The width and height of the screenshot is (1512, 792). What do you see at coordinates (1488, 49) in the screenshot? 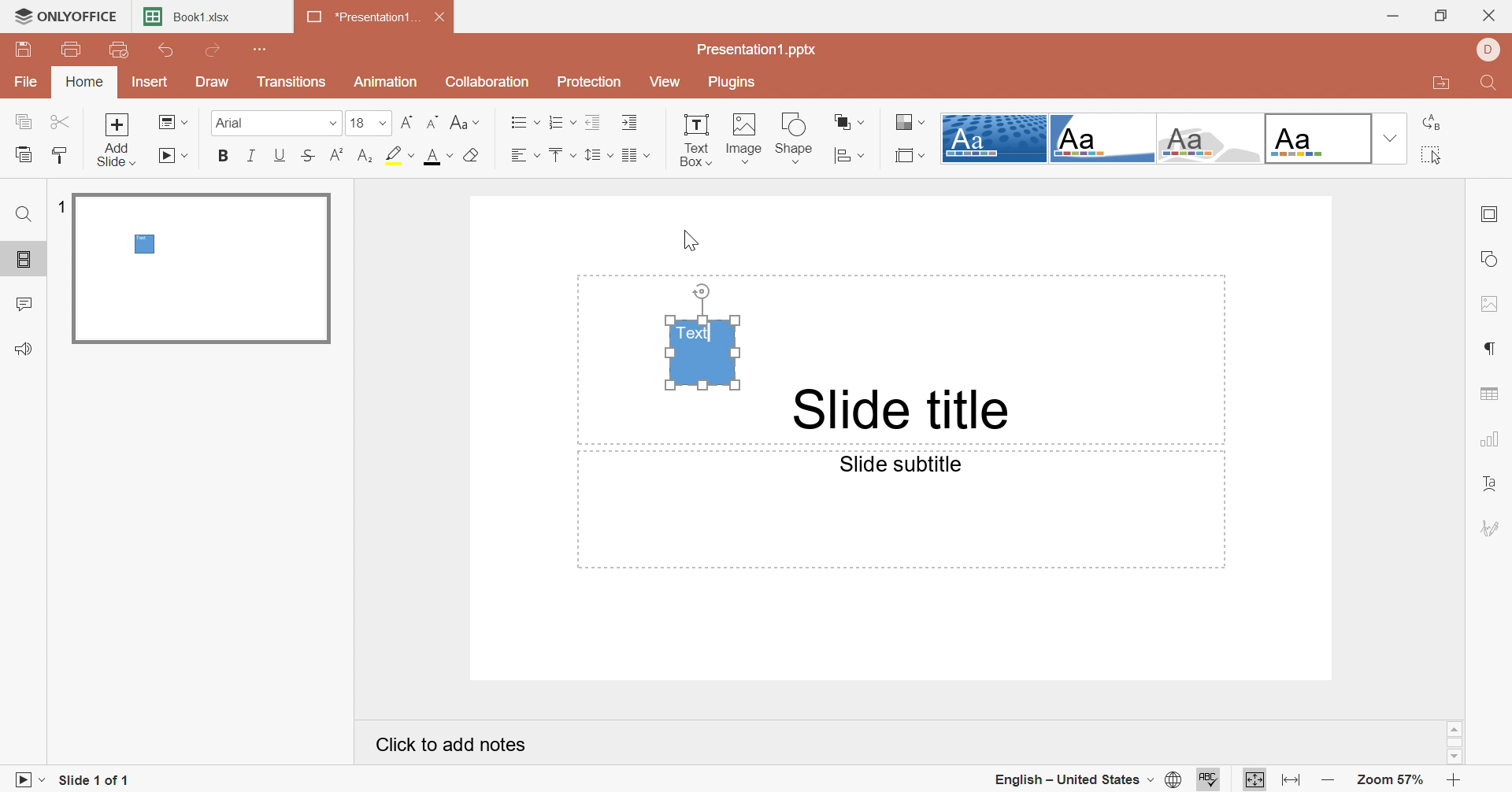
I see `DELL` at bounding box center [1488, 49].